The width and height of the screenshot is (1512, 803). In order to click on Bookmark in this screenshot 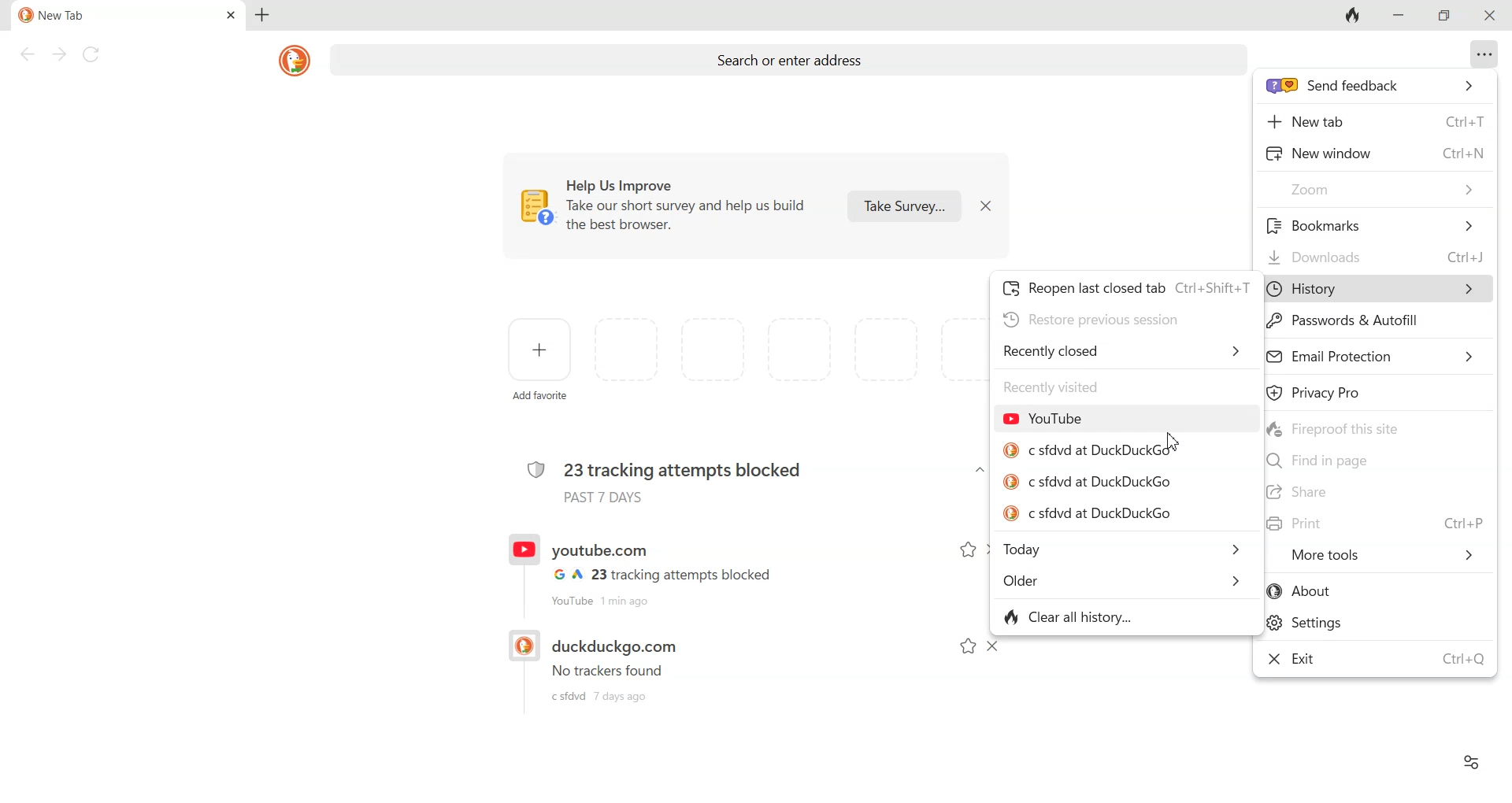, I will do `click(1374, 225)`.